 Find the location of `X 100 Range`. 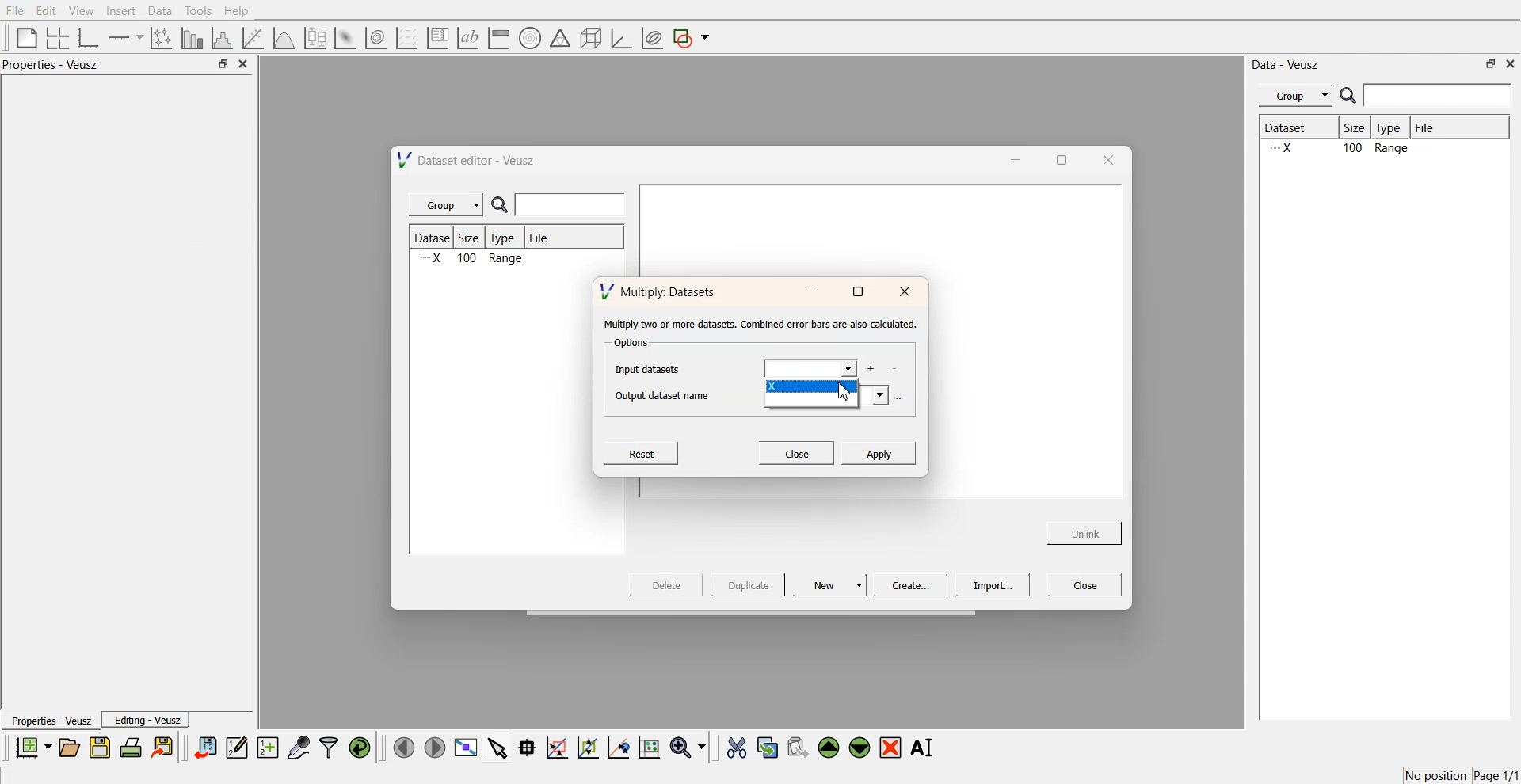

X 100 Range is located at coordinates (1382, 150).